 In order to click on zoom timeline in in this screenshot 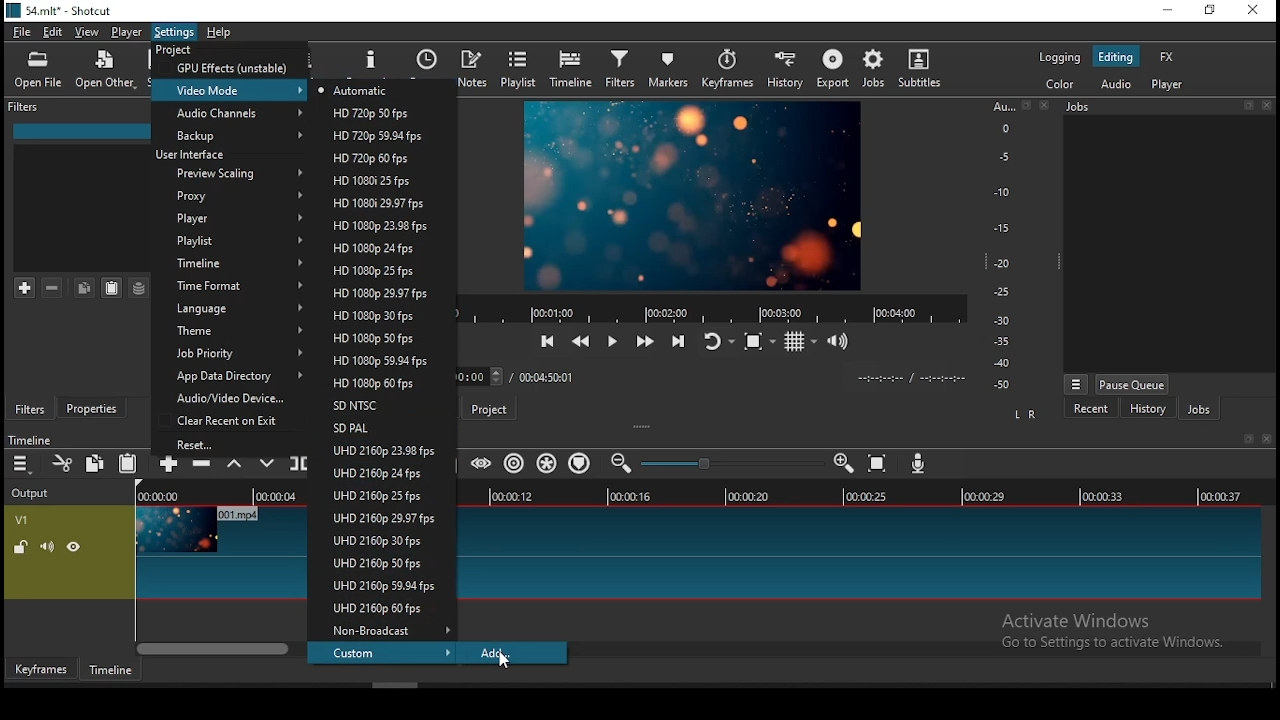, I will do `click(623, 464)`.